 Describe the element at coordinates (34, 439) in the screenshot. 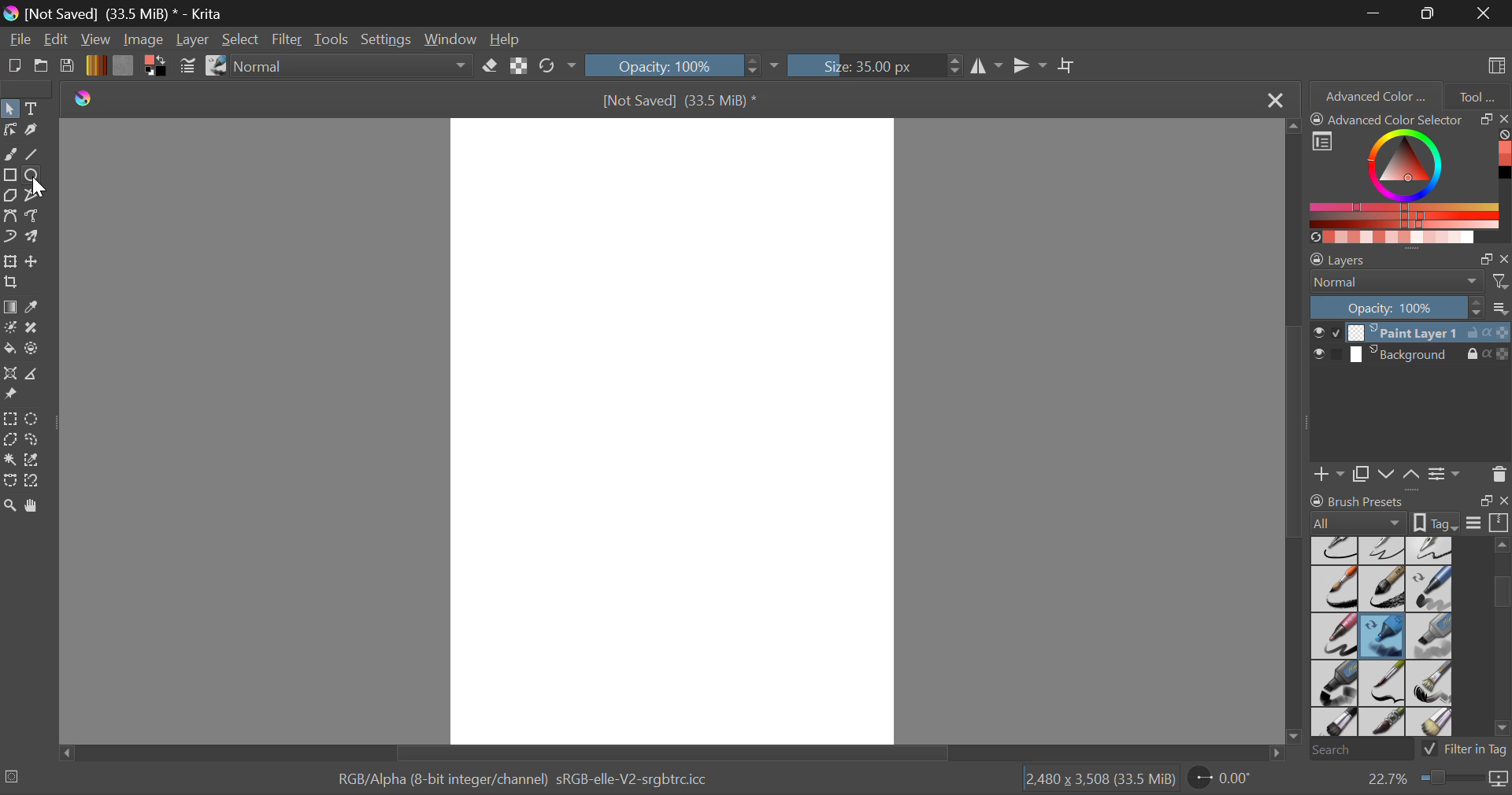

I see `Freehand Selection Tool` at that location.